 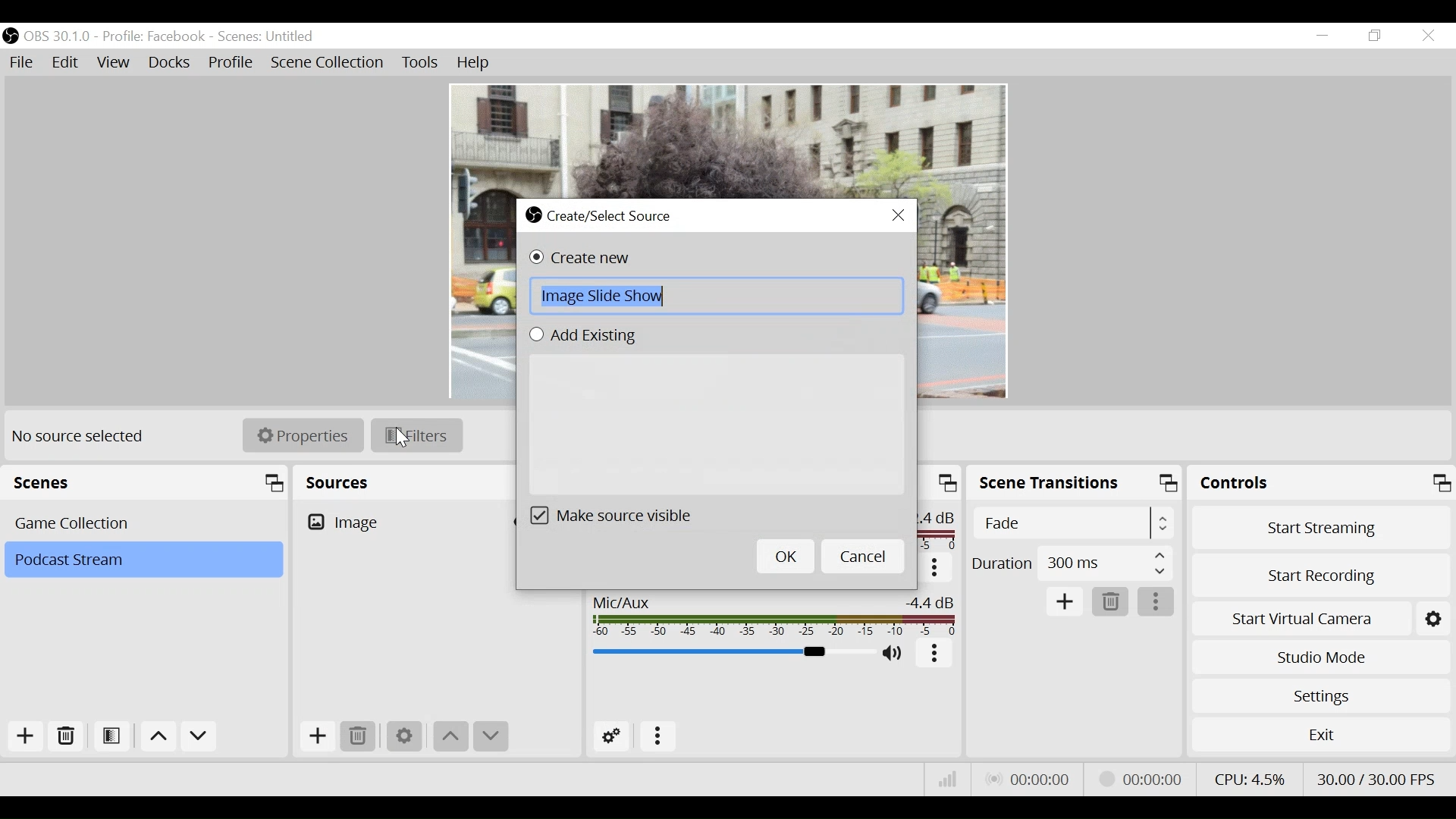 What do you see at coordinates (80, 435) in the screenshot?
I see `No Source Selected` at bounding box center [80, 435].